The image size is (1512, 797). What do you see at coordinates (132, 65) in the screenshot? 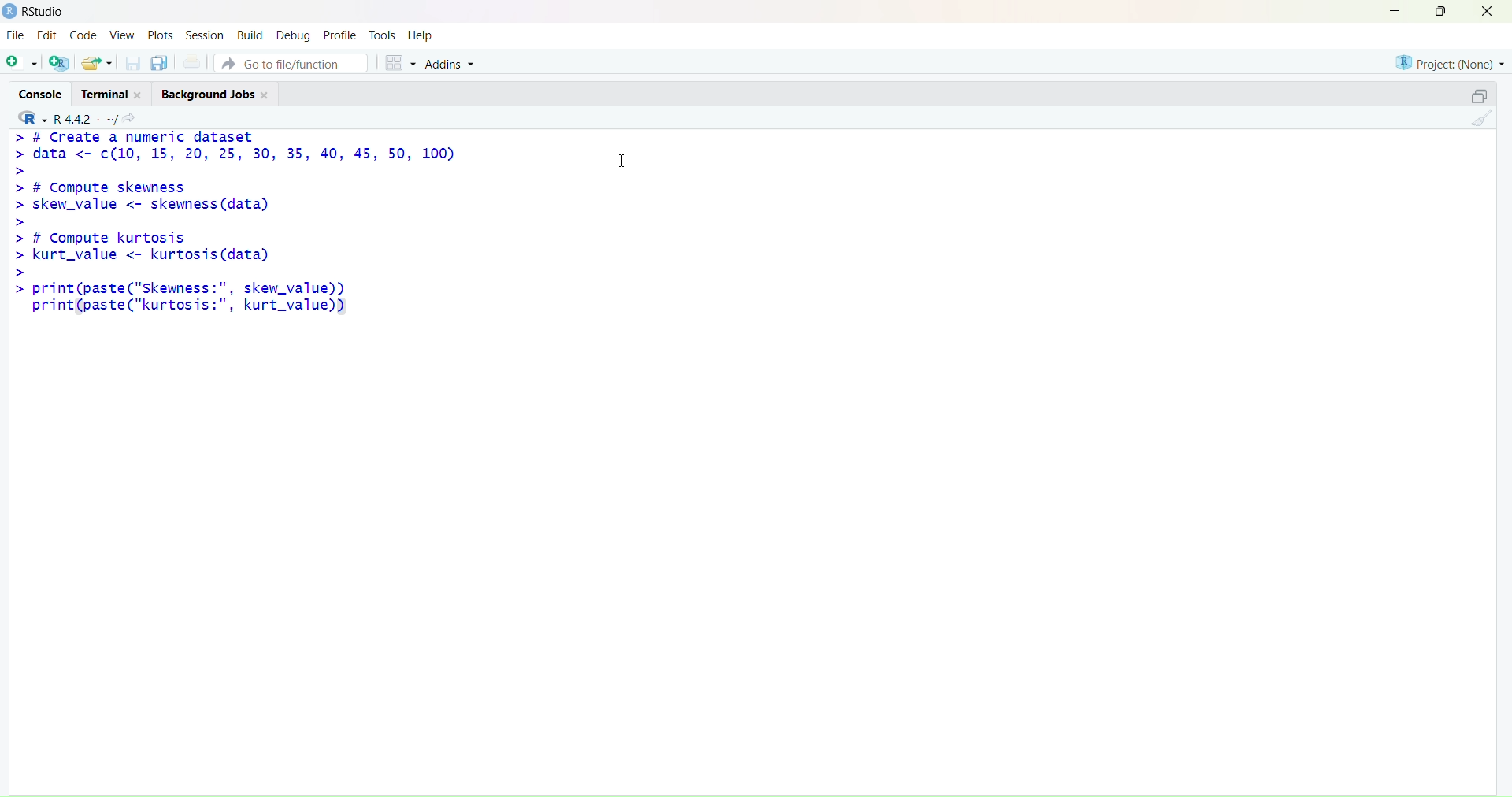
I see `Save current document (Ctrl + S)` at bounding box center [132, 65].